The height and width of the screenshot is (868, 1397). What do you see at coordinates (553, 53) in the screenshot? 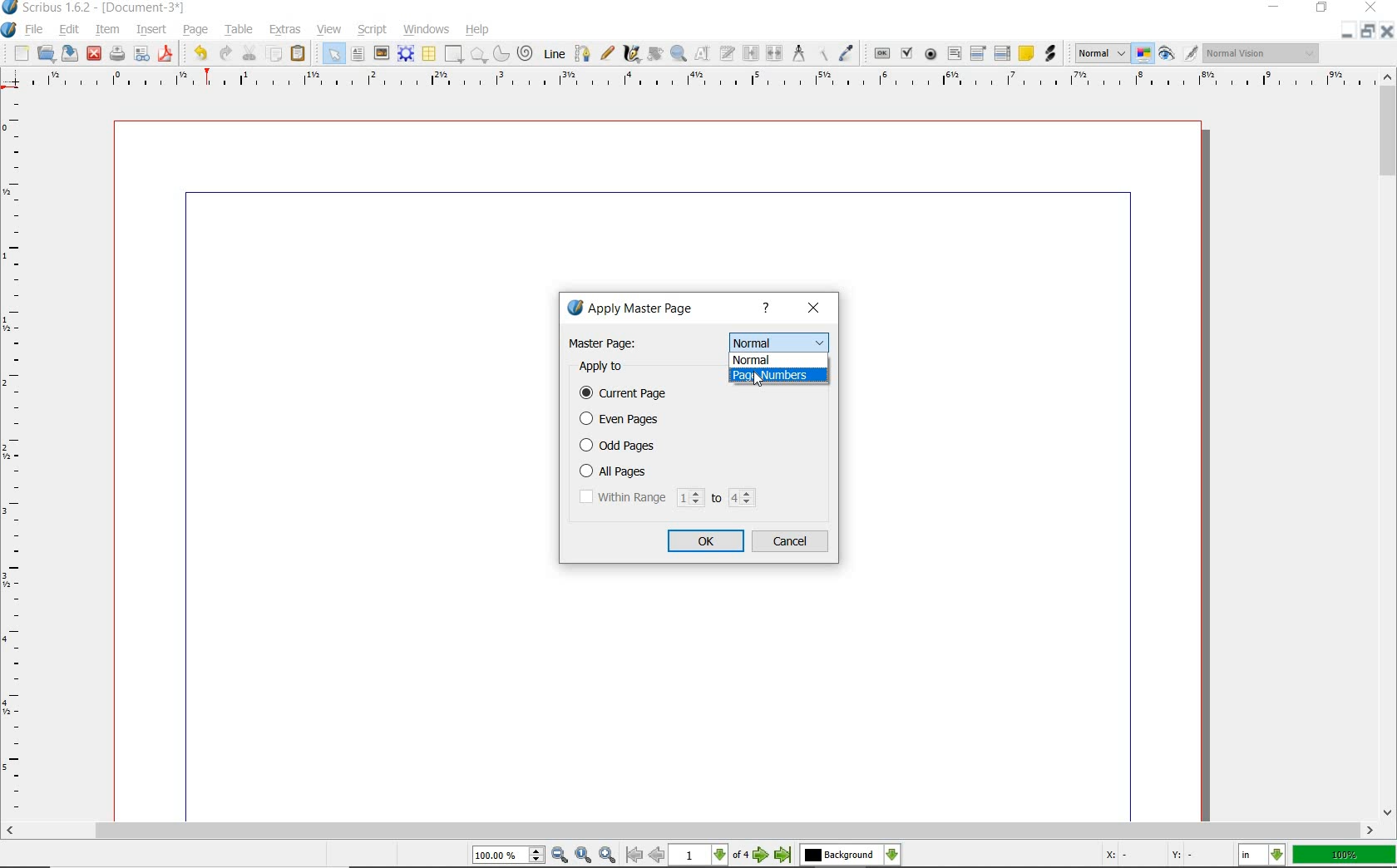
I see `line` at bounding box center [553, 53].